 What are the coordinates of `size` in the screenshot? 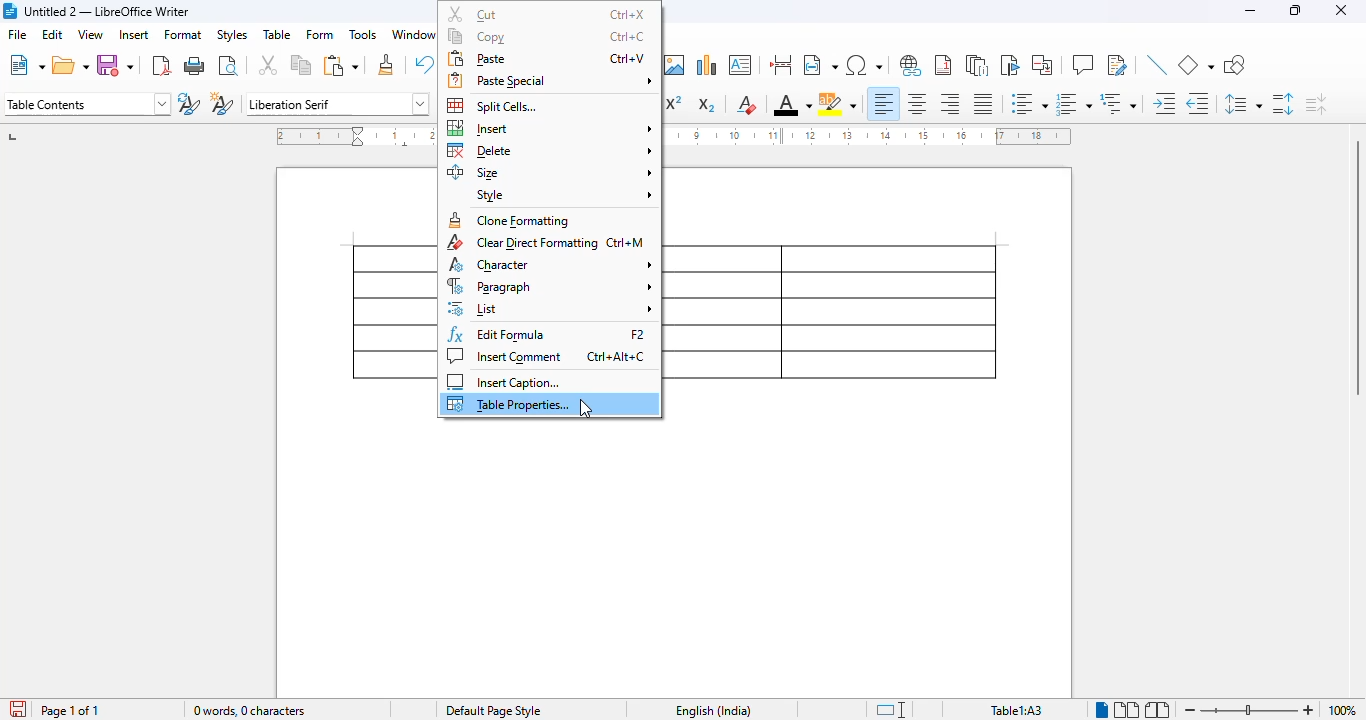 It's located at (548, 172).